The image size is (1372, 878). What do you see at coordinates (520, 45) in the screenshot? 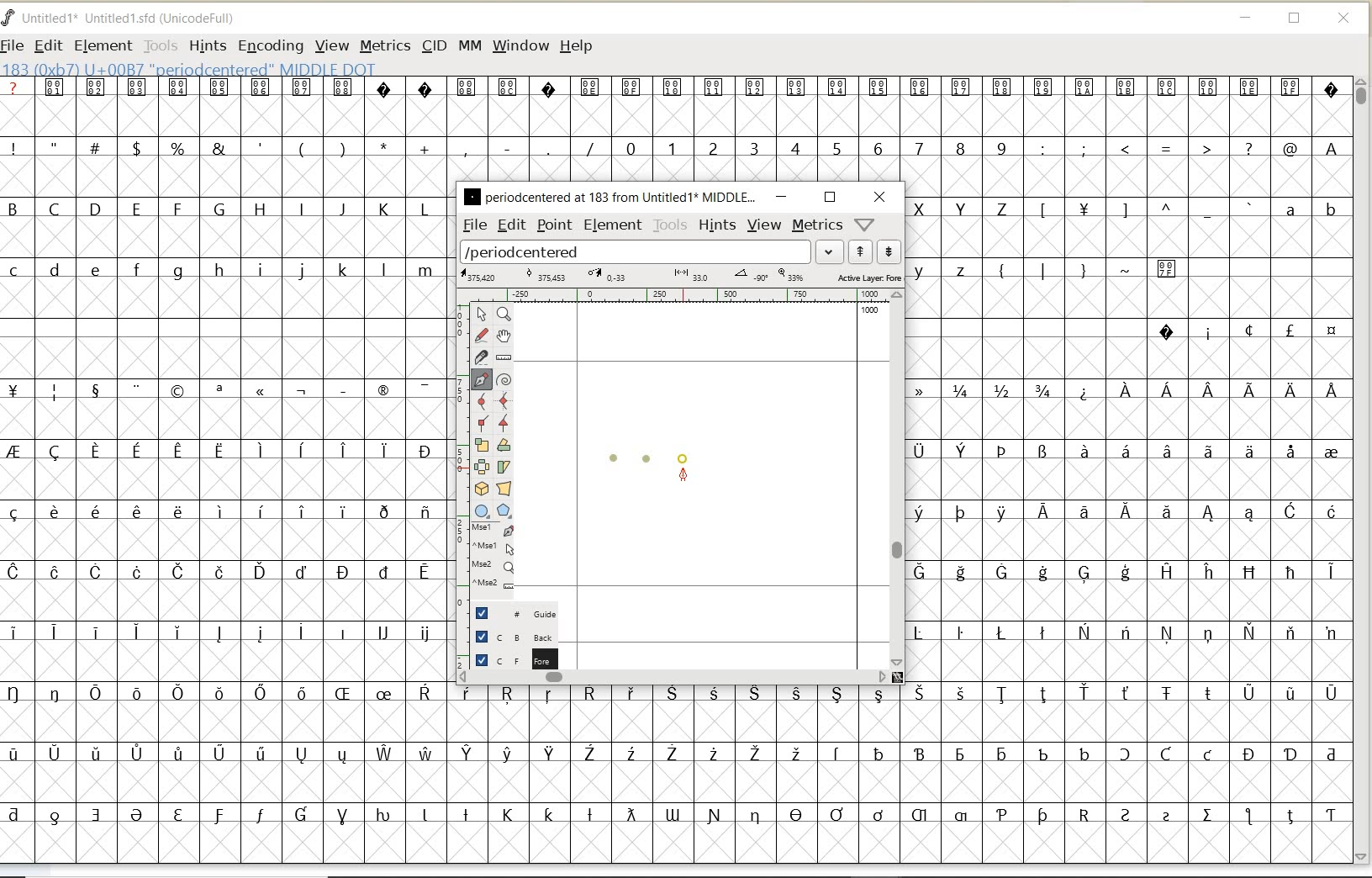
I see `WINDOW` at bounding box center [520, 45].